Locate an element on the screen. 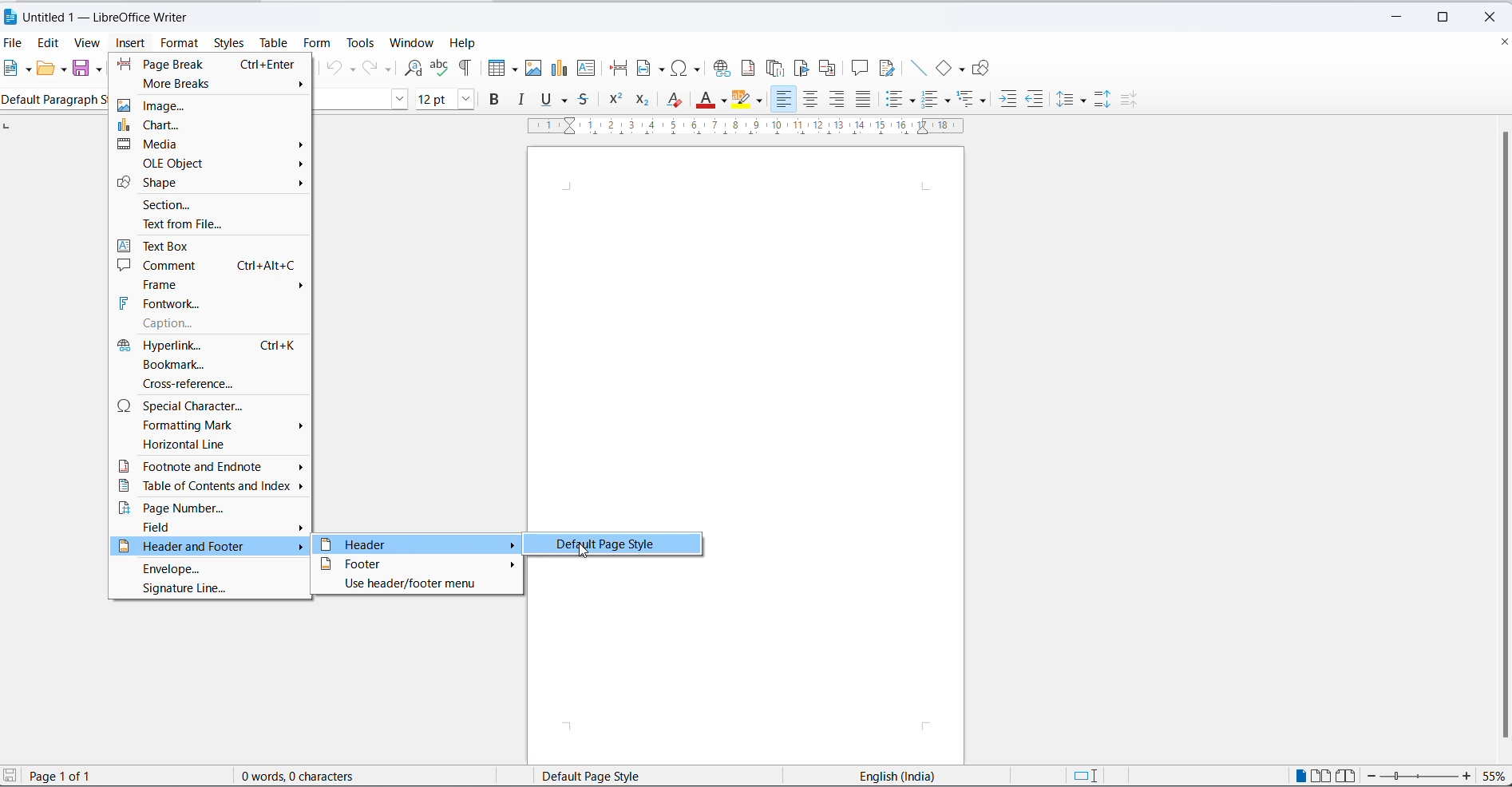  frame is located at coordinates (209, 284).